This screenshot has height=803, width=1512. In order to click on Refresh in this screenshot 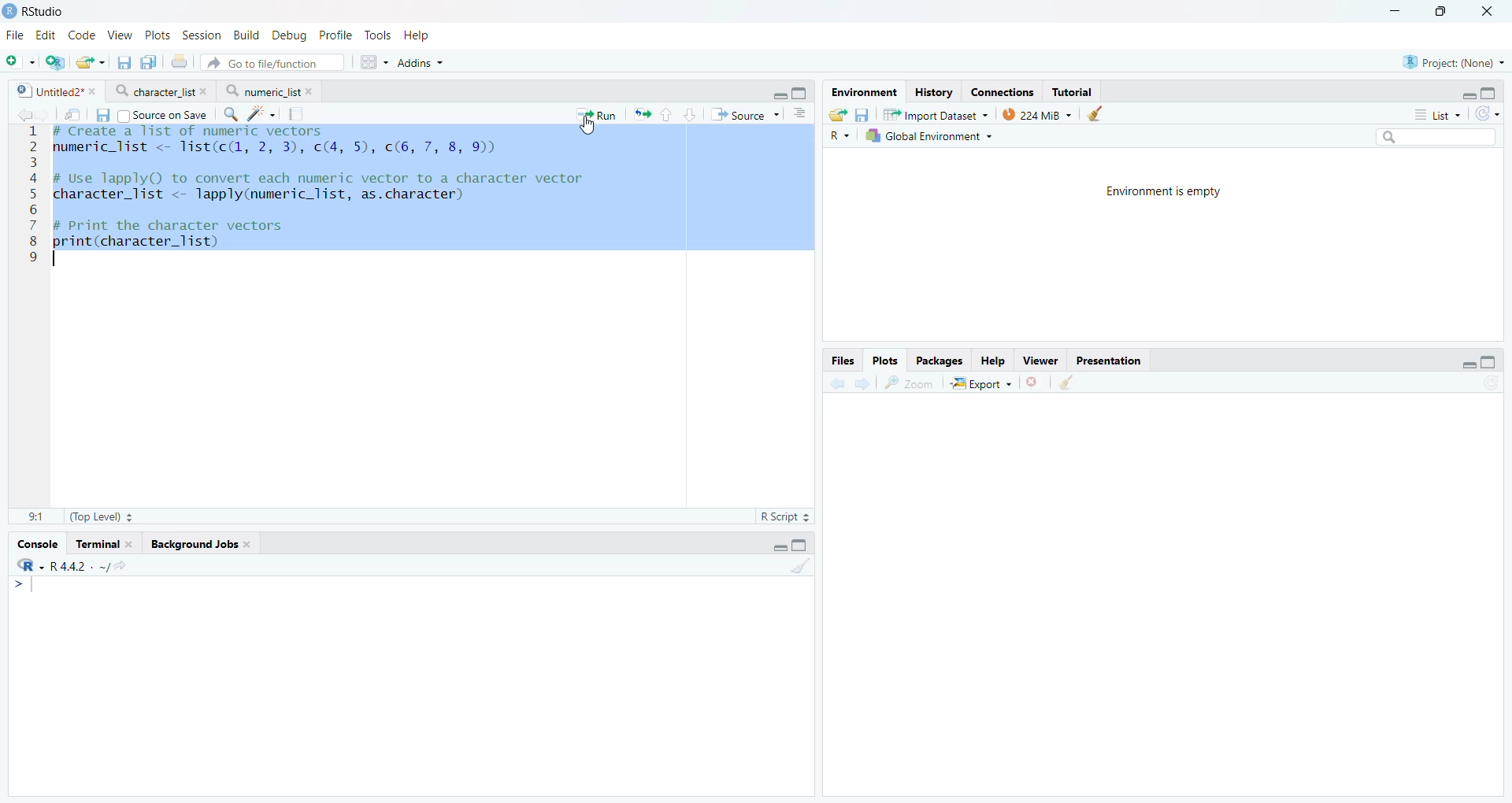, I will do `click(1488, 113)`.